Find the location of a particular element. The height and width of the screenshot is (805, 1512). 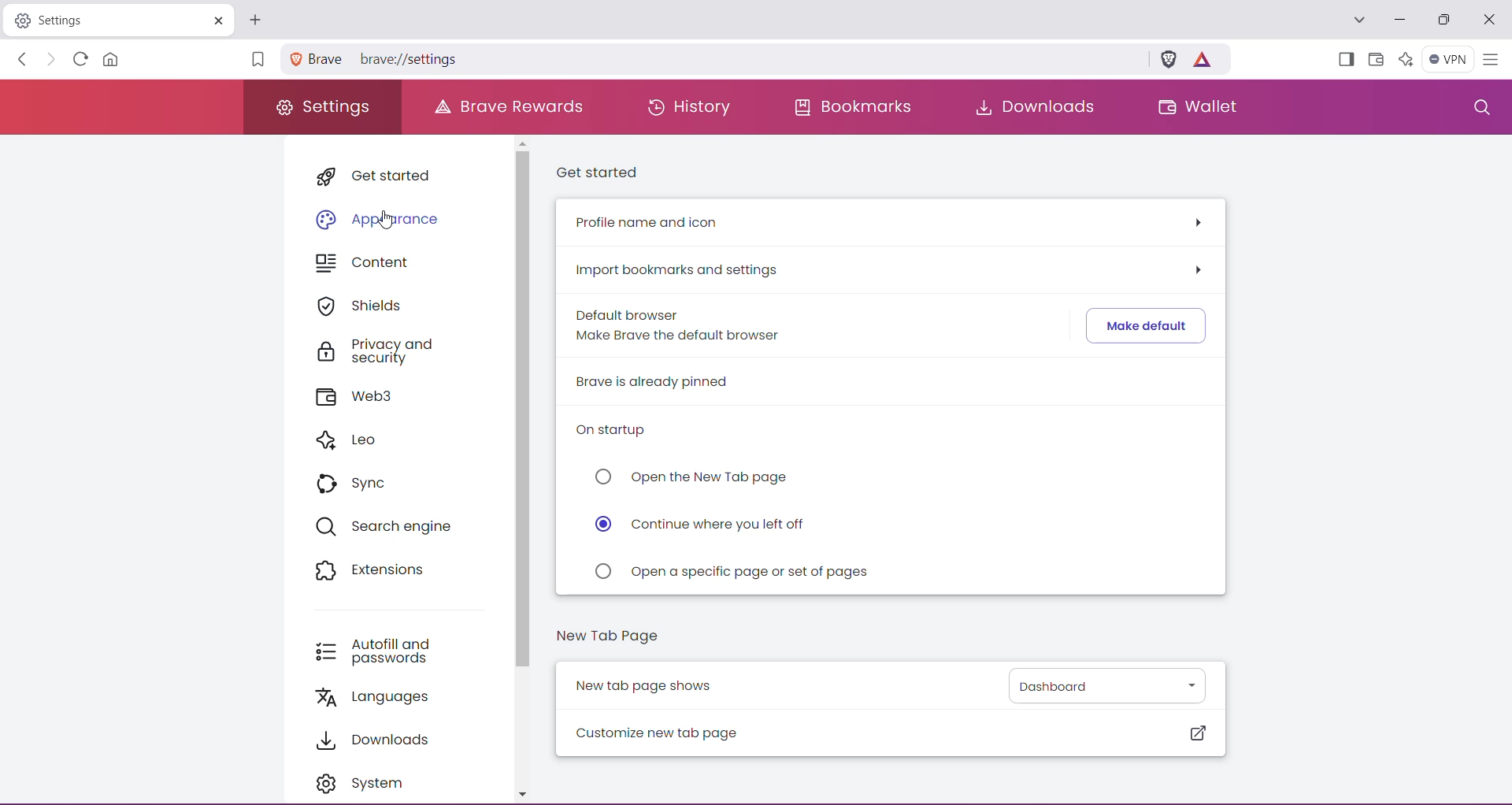

Downloads is located at coordinates (373, 738).